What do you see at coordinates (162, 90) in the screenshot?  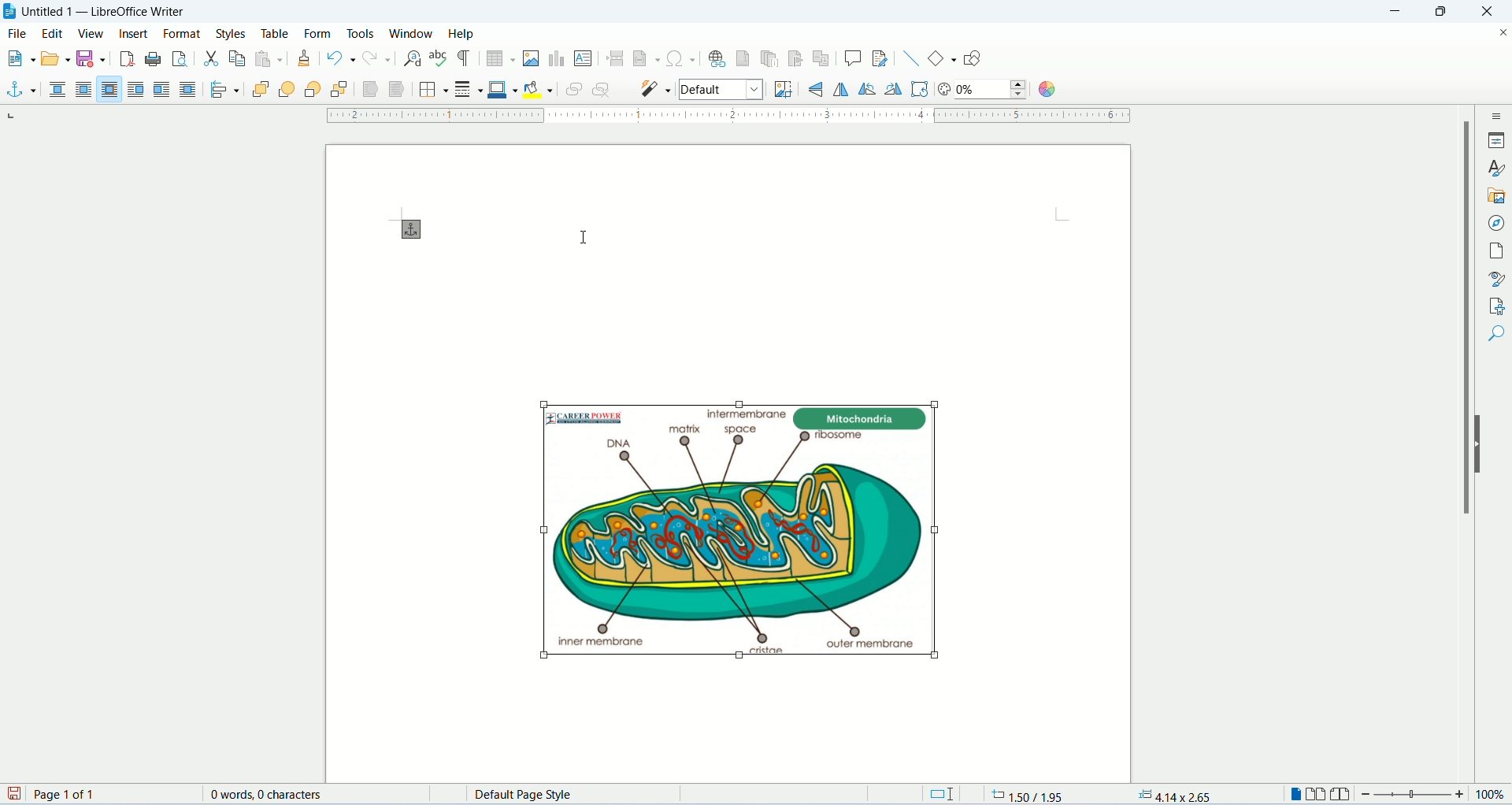 I see `after` at bounding box center [162, 90].